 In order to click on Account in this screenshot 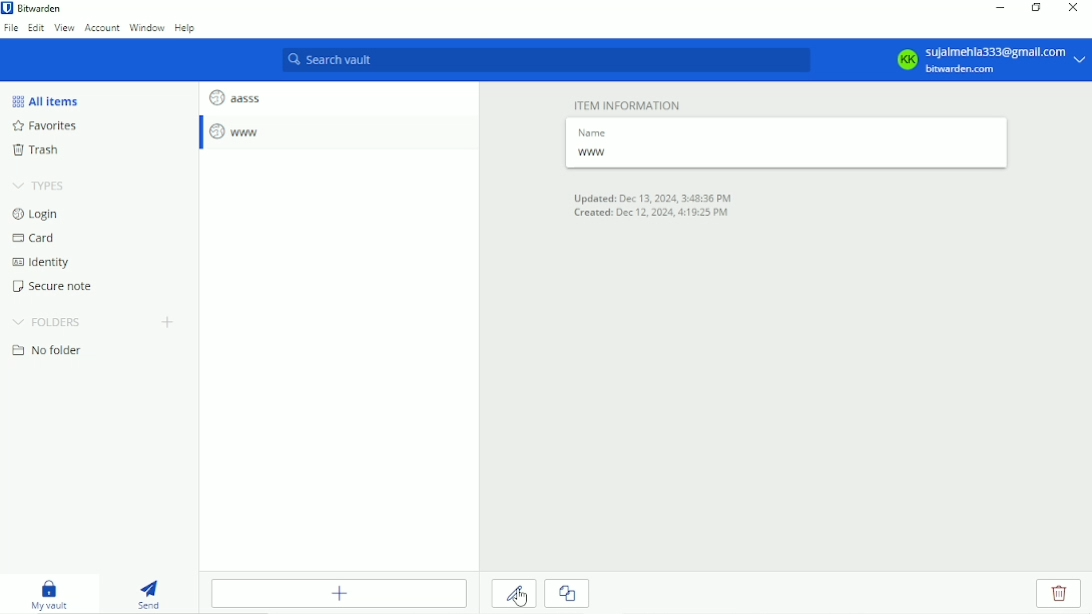, I will do `click(101, 29)`.